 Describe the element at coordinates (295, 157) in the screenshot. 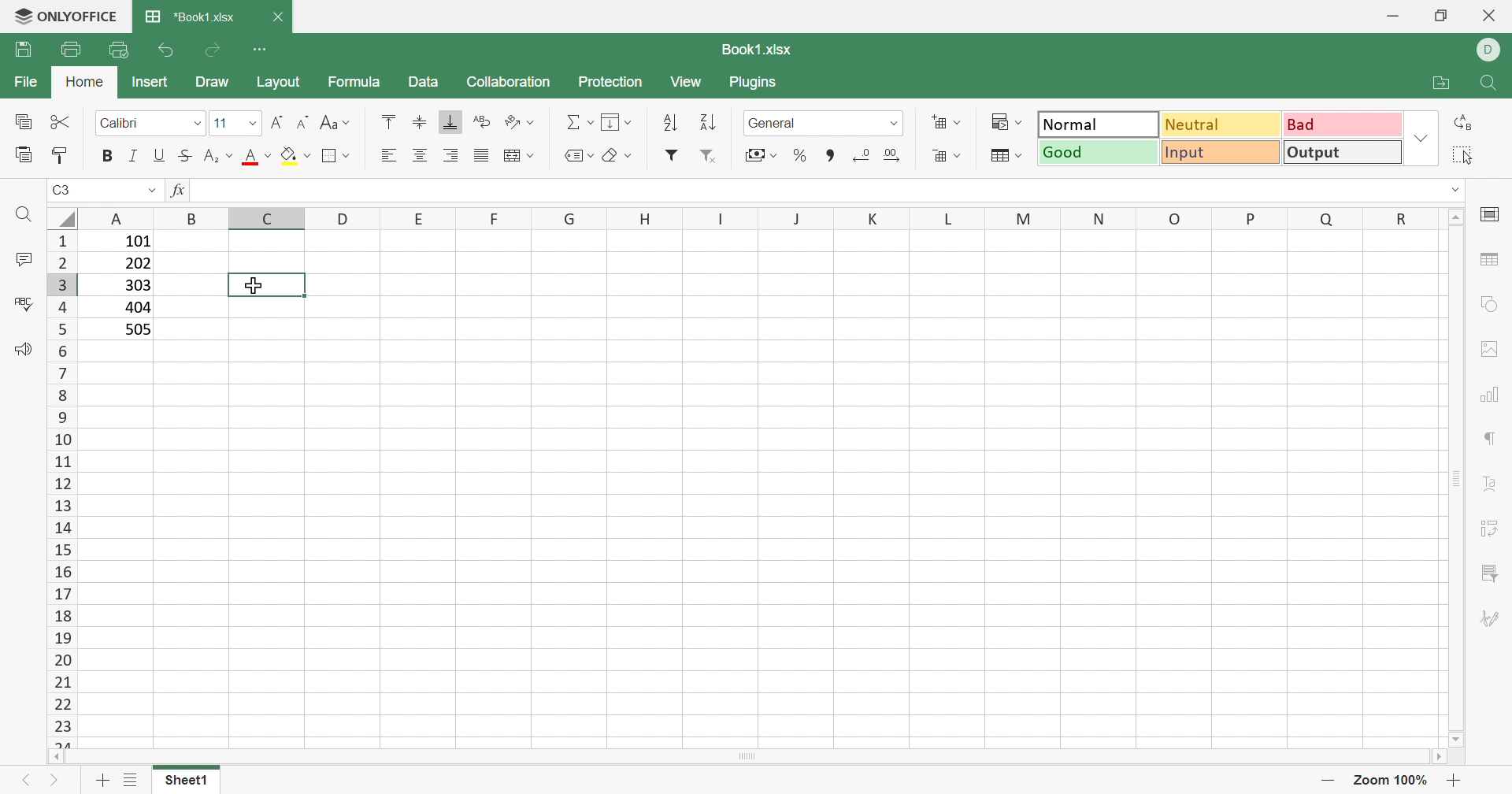

I see `Fill` at that location.